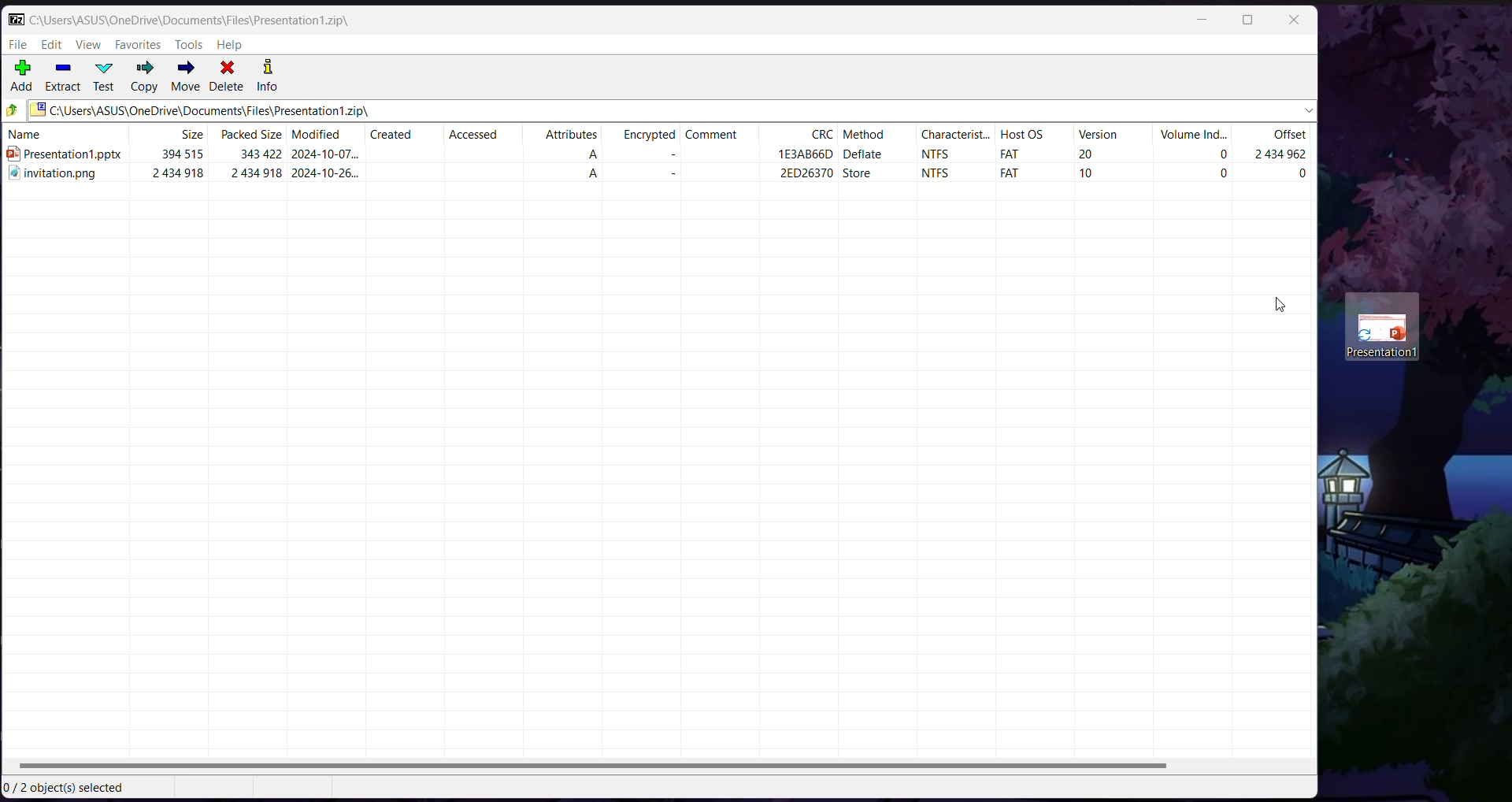 The image size is (1512, 802). I want to click on Modified, so click(318, 136).